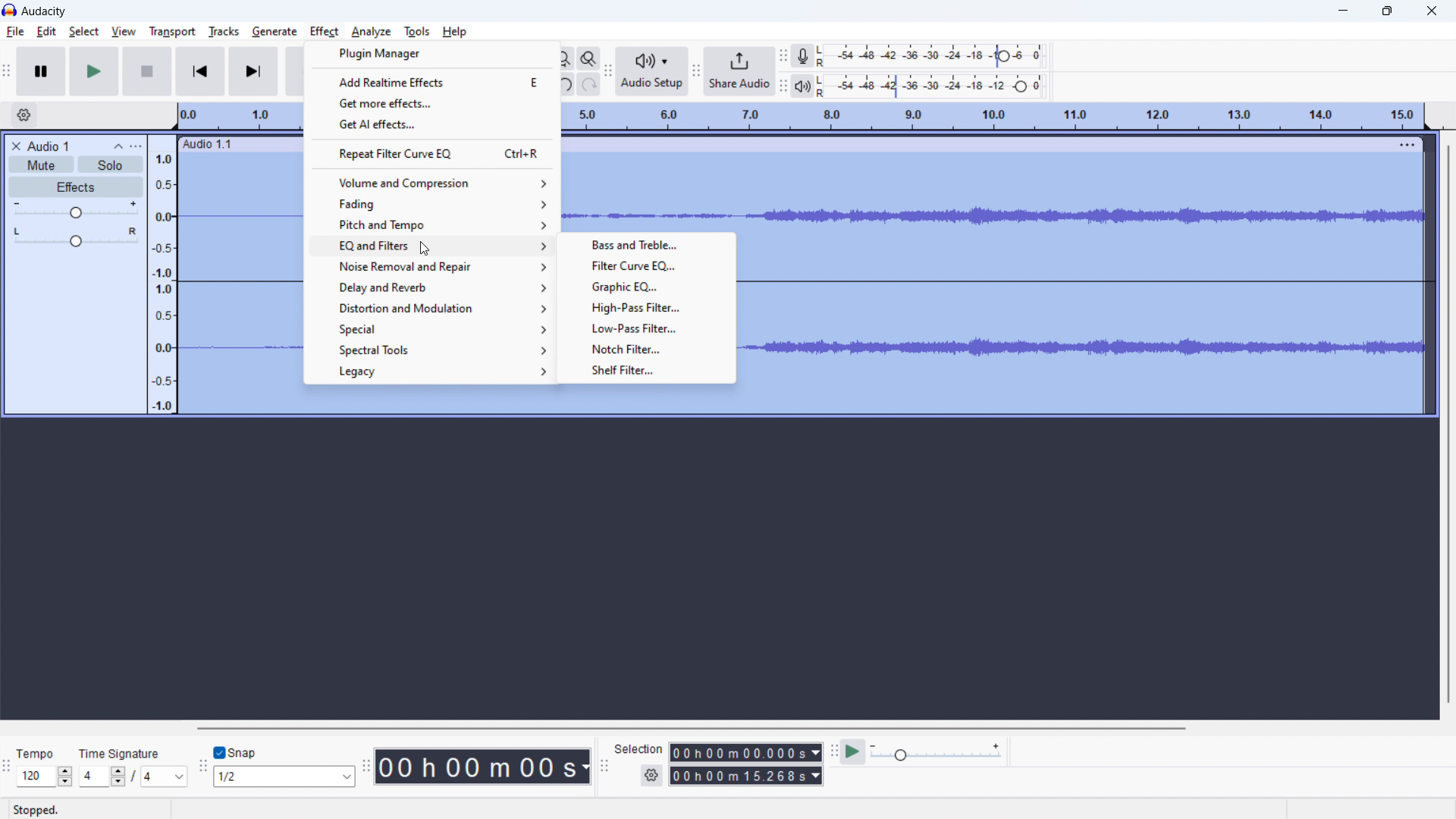  Describe the element at coordinates (807, 85) in the screenshot. I see `playback meter` at that location.